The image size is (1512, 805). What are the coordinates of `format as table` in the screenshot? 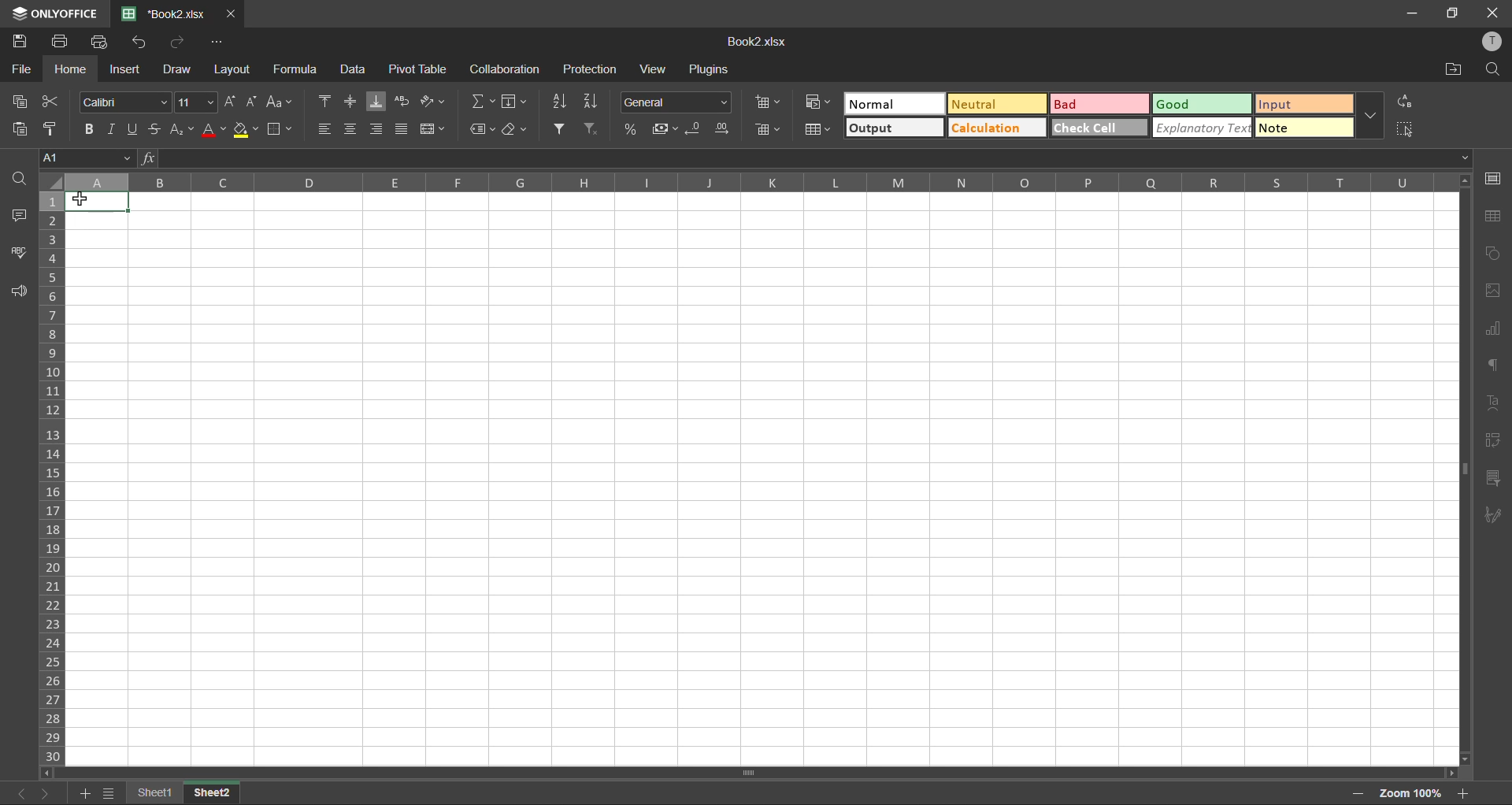 It's located at (821, 131).